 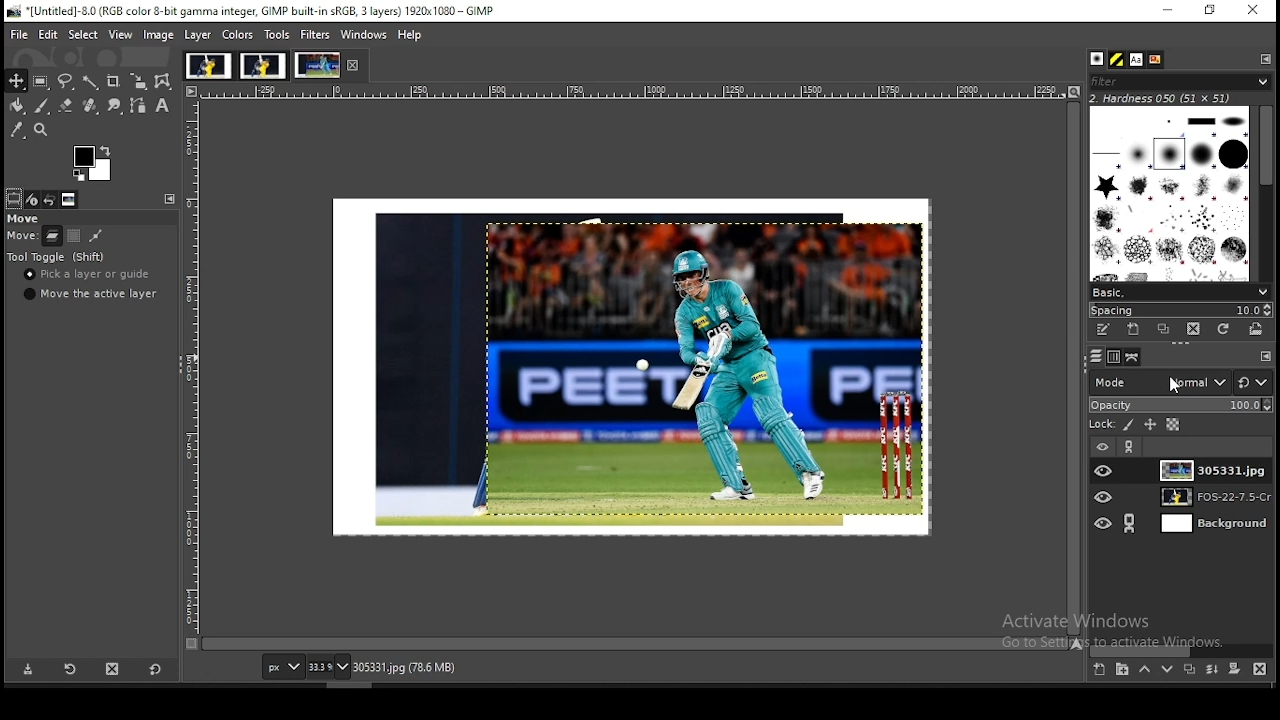 What do you see at coordinates (1132, 330) in the screenshot?
I see `create a new brush` at bounding box center [1132, 330].